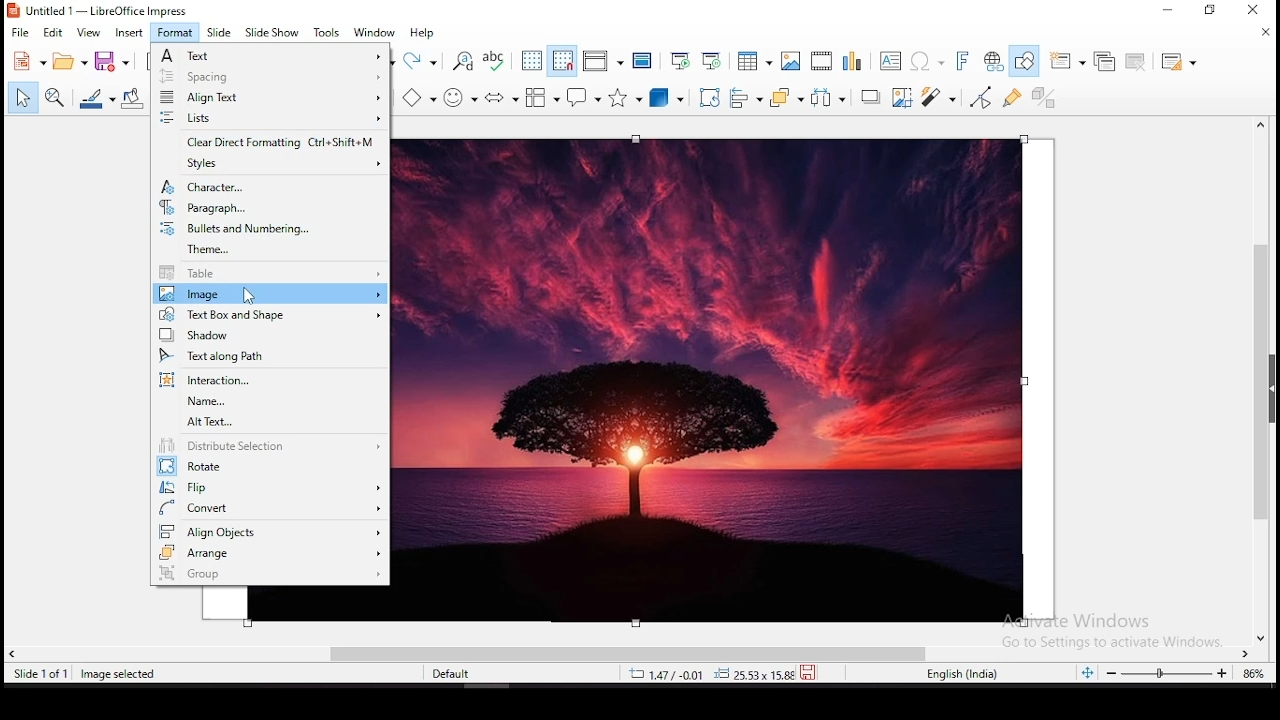 The image size is (1280, 720). Describe the element at coordinates (712, 59) in the screenshot. I see `start from current slide` at that location.